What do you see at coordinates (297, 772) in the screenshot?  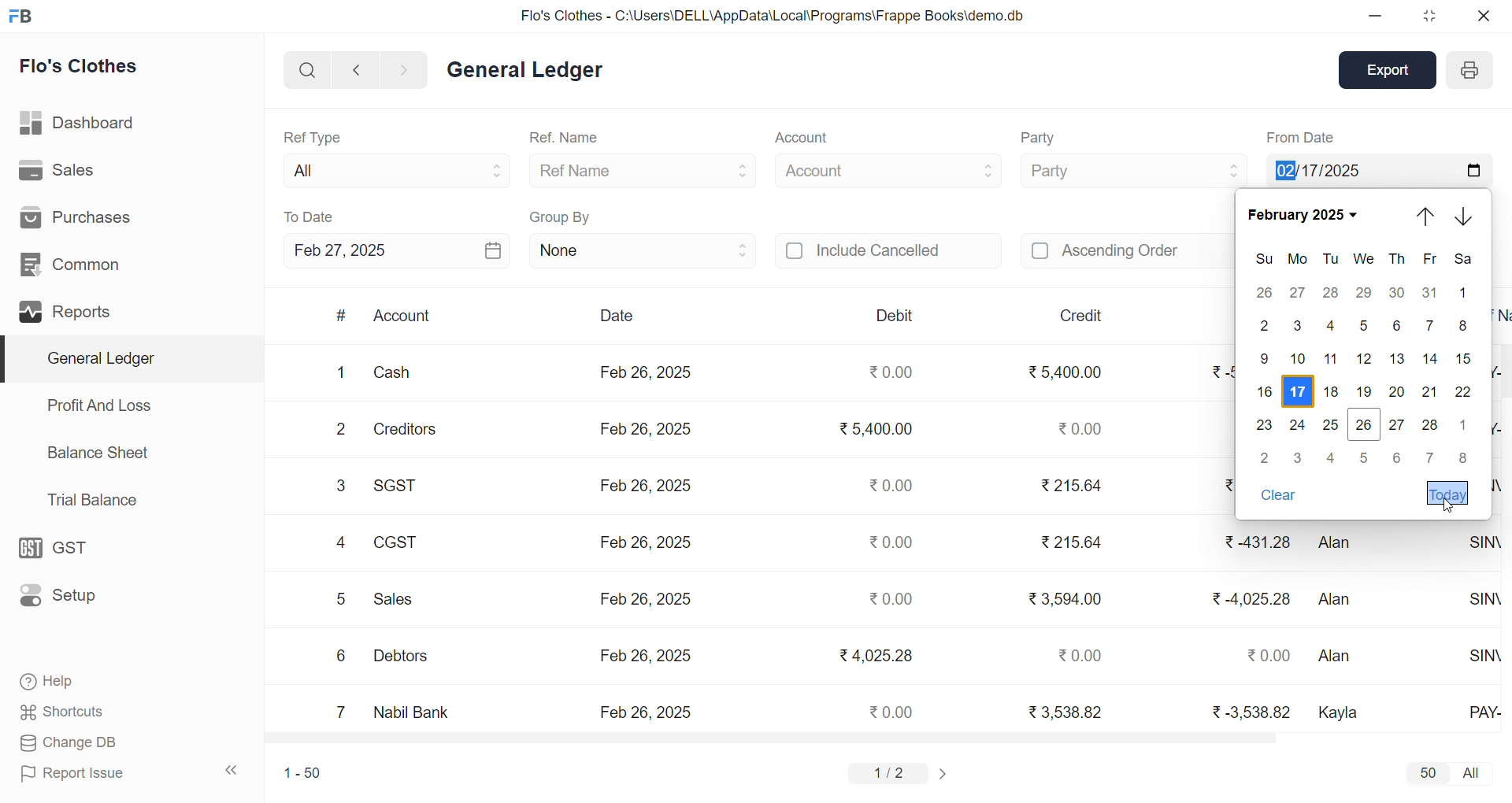 I see `1-50` at bounding box center [297, 772].